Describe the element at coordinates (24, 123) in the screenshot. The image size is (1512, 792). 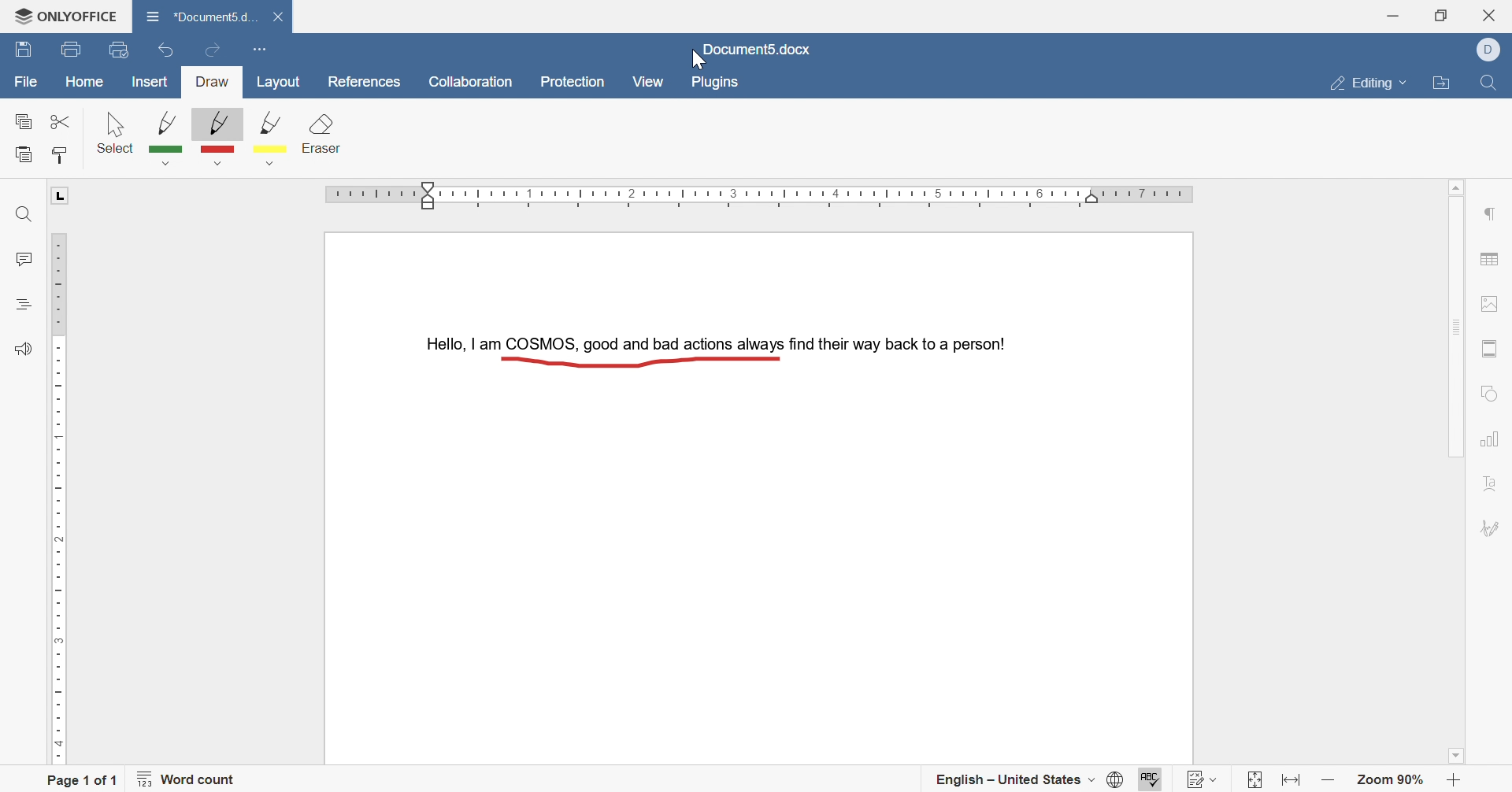
I see `copy` at that location.